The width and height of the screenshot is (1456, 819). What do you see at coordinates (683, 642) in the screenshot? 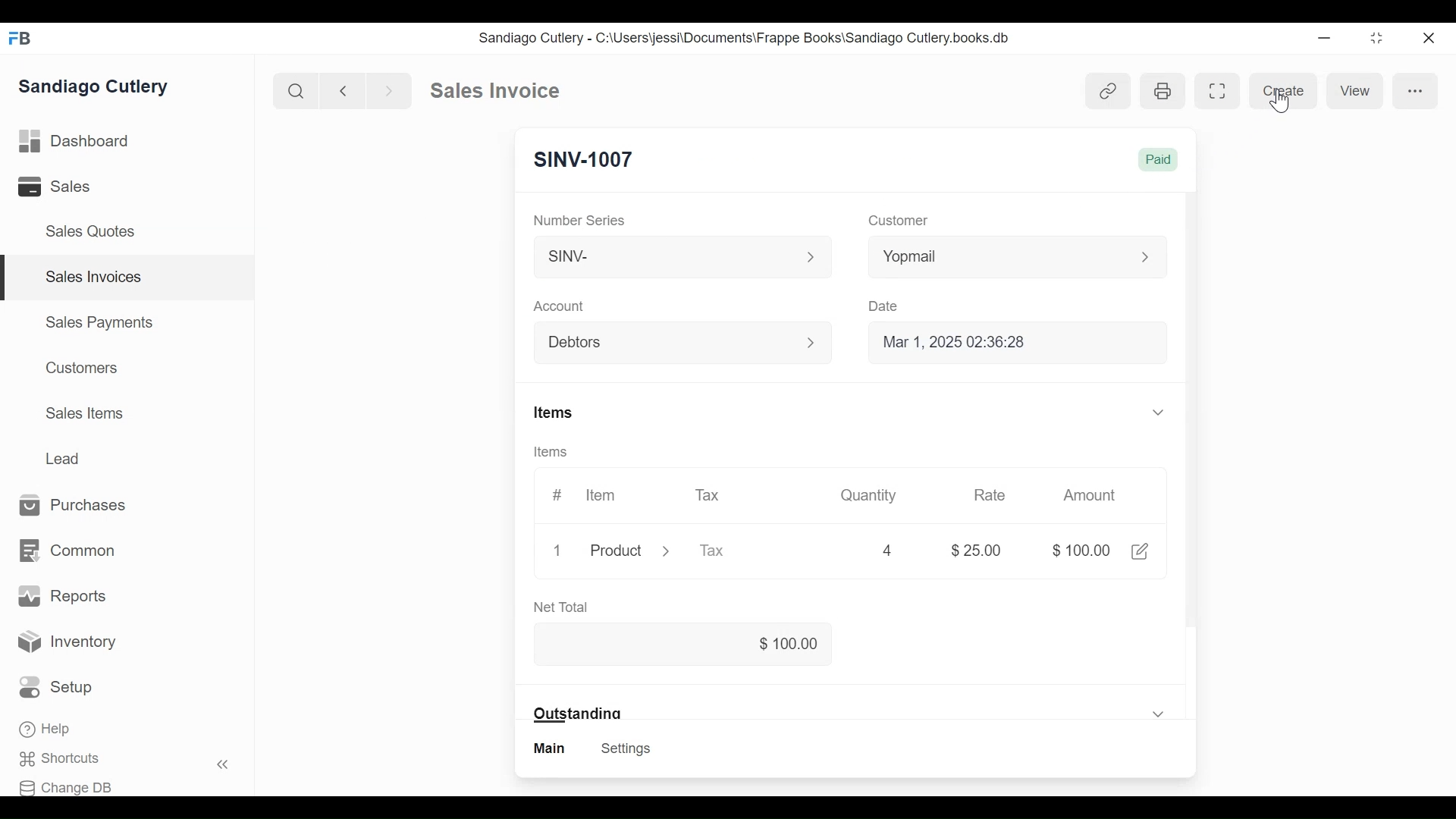
I see `$100.00` at bounding box center [683, 642].